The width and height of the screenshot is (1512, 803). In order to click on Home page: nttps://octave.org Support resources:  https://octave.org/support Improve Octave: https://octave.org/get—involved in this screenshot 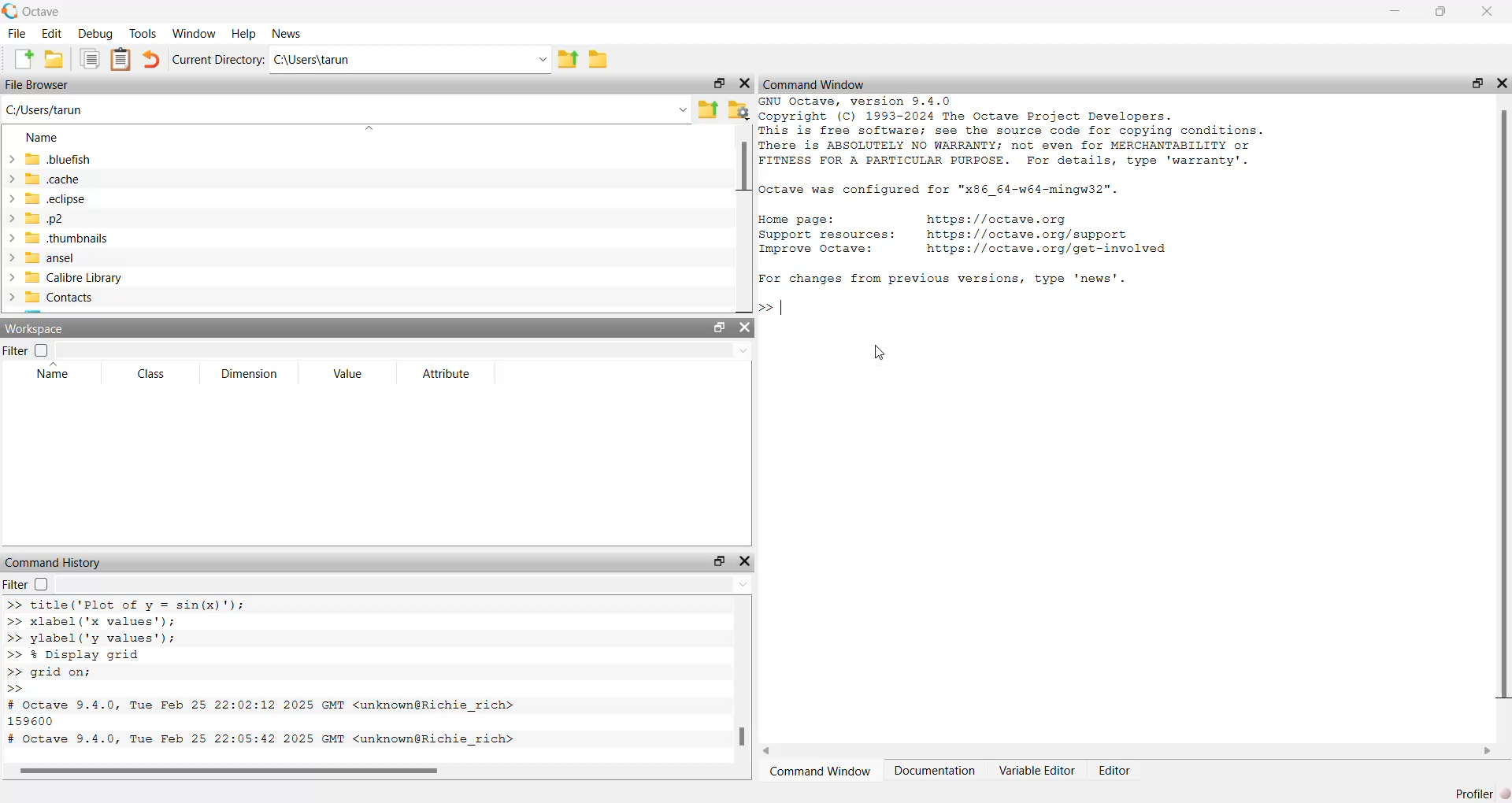, I will do `click(963, 234)`.